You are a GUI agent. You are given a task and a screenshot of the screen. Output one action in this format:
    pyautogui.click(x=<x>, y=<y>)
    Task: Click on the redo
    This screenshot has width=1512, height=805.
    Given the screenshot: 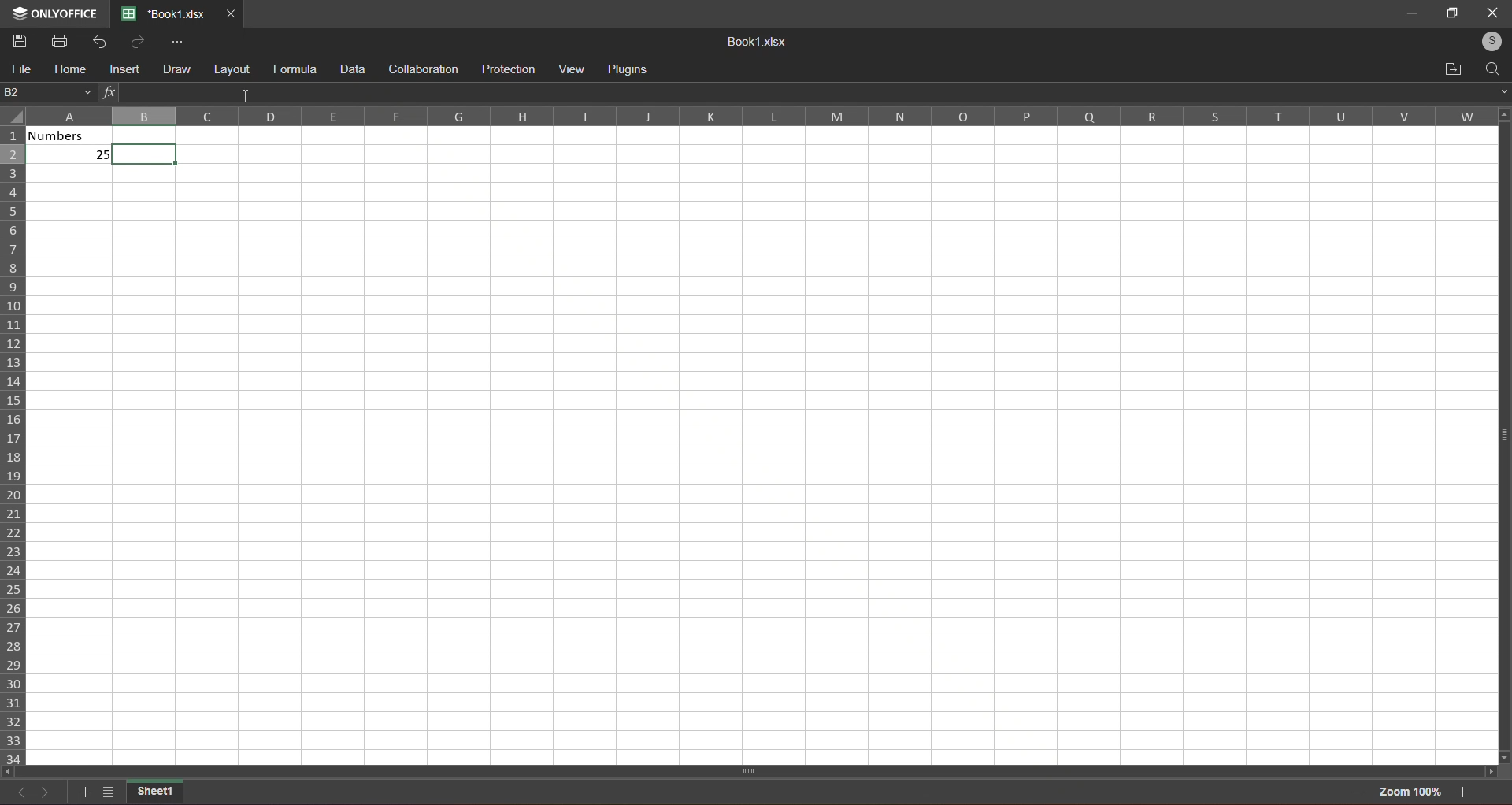 What is the action you would take?
    pyautogui.click(x=135, y=42)
    